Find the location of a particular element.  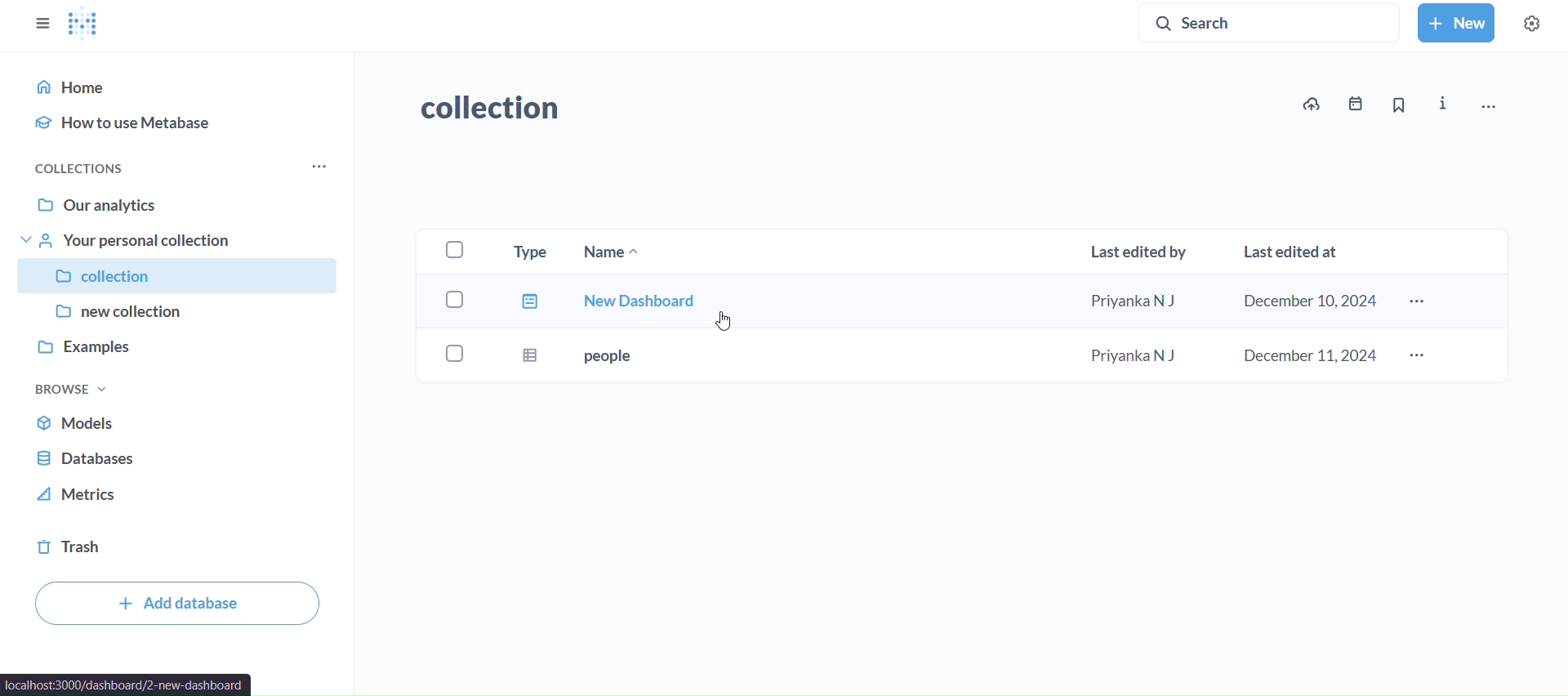

more is located at coordinates (1417, 356).